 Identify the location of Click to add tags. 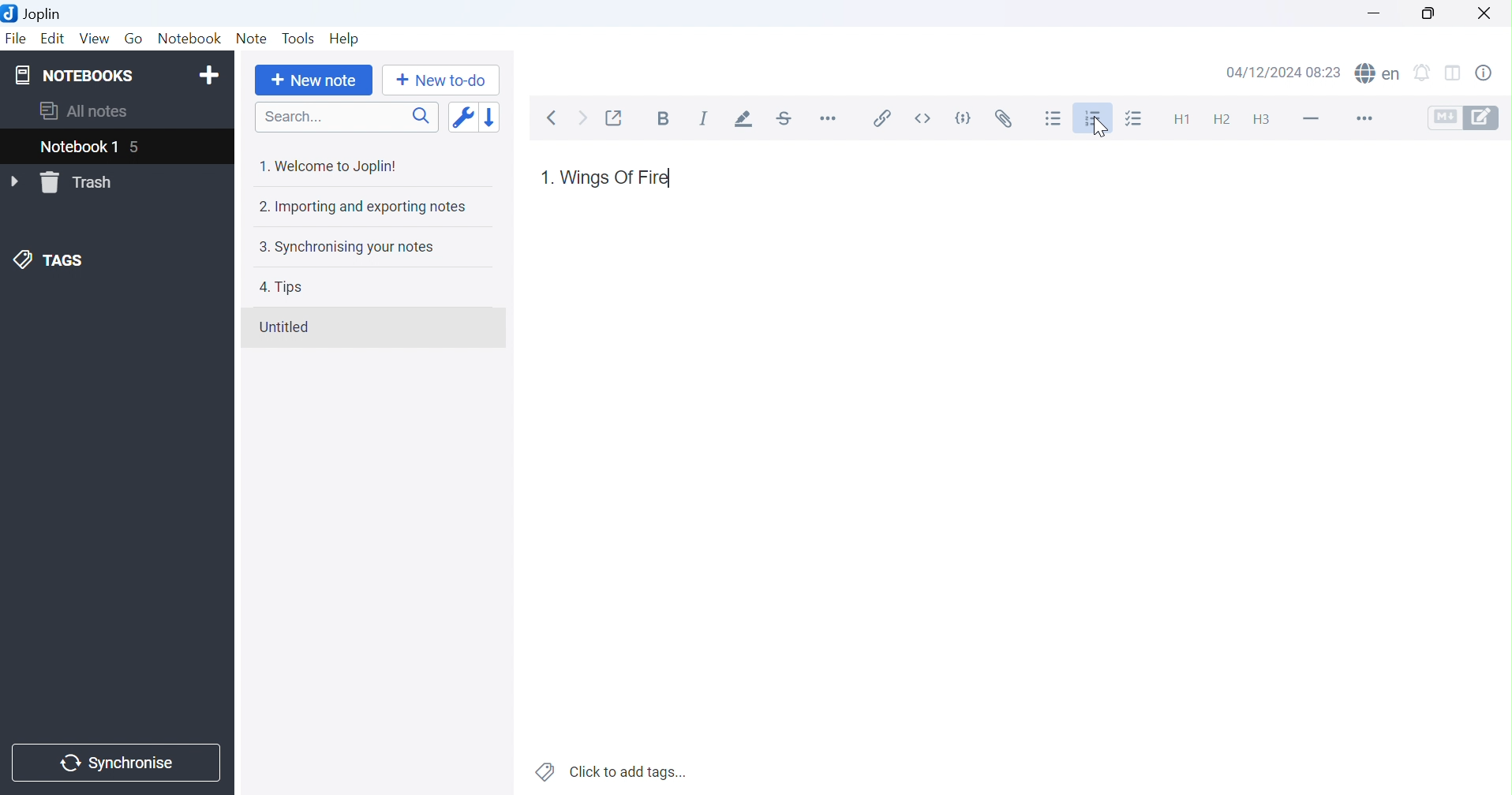
(612, 772).